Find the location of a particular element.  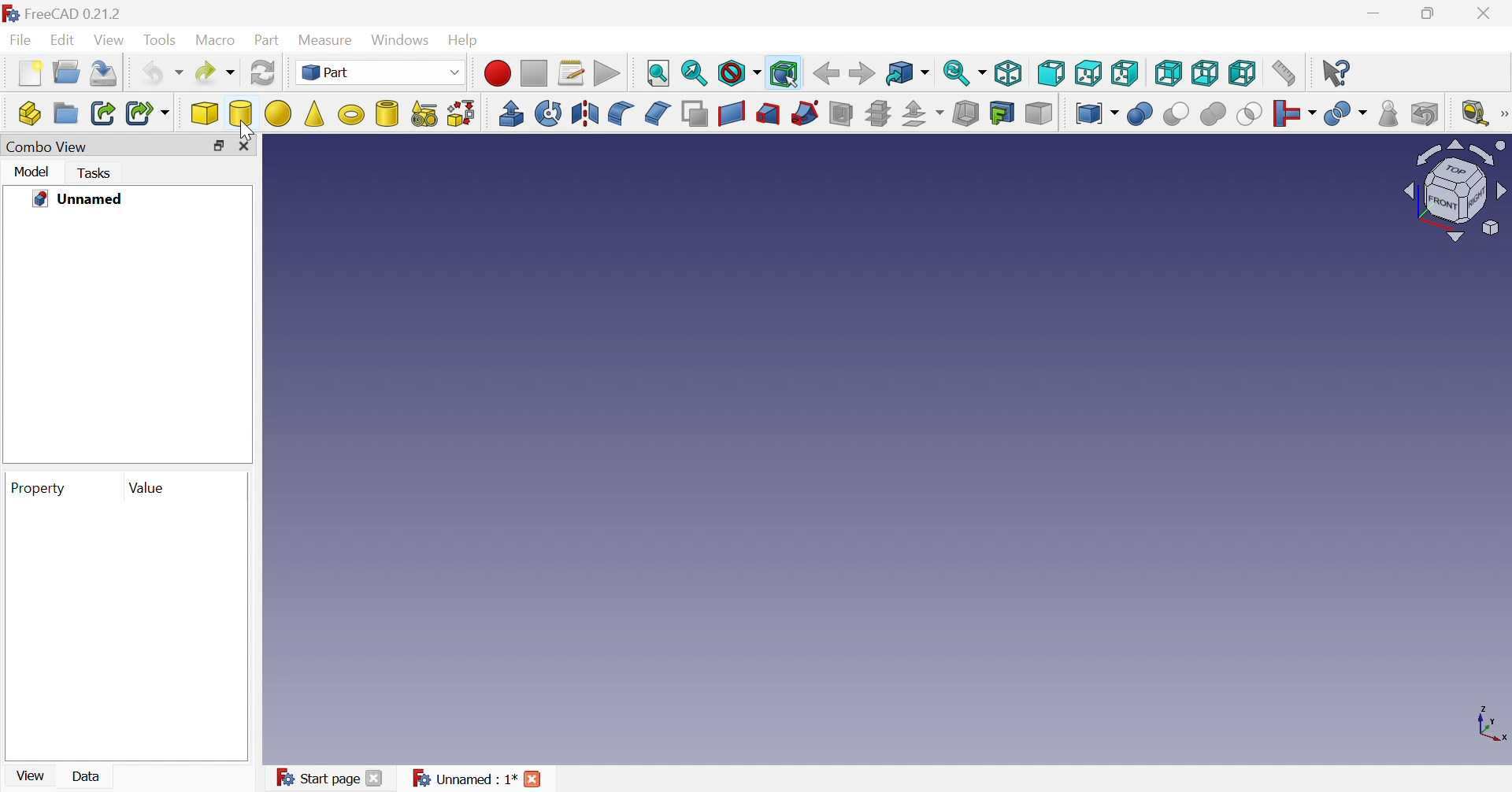

Create projection on surface is located at coordinates (1004, 113).